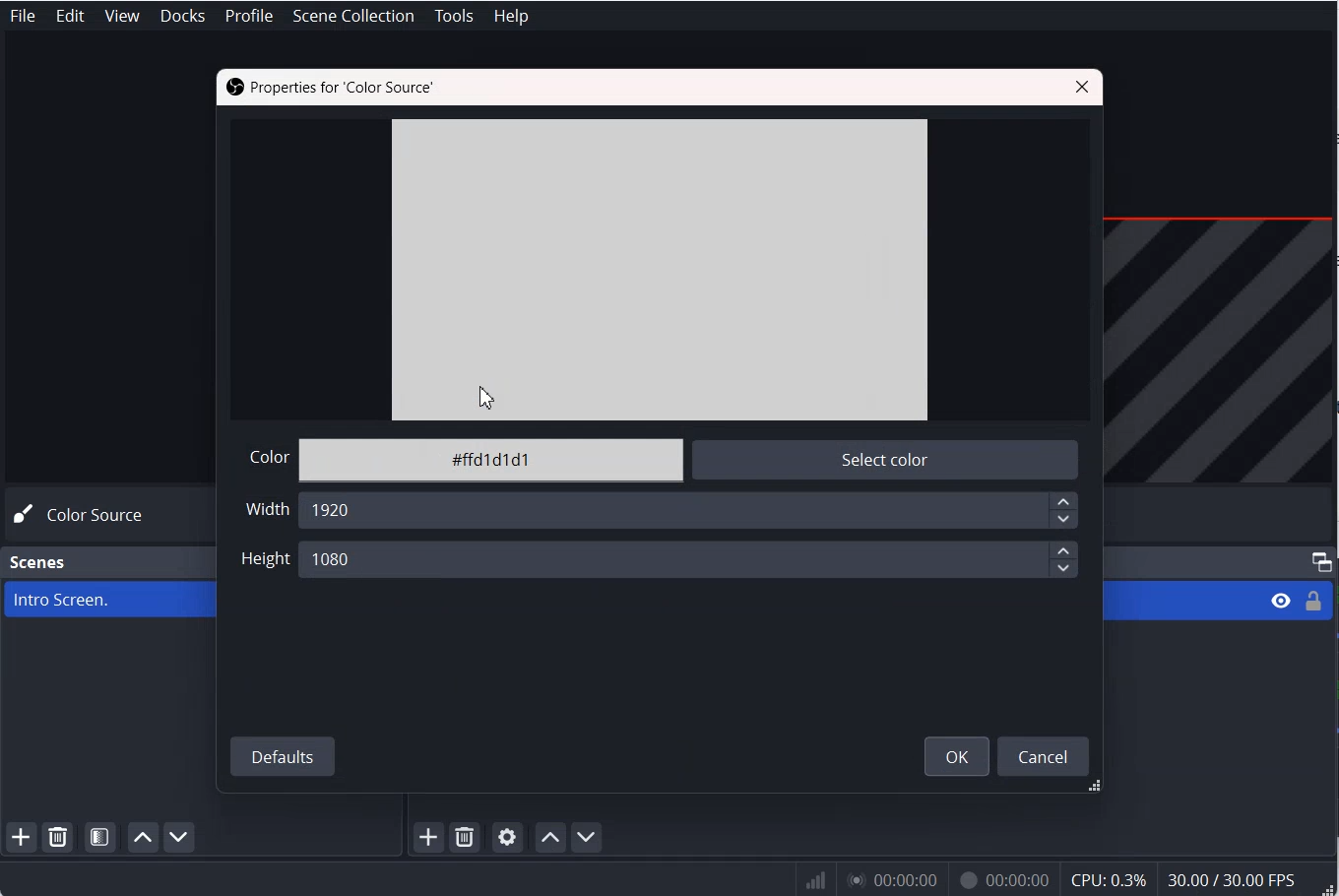 Image resolution: width=1339 pixels, height=896 pixels. I want to click on CPU, so click(1110, 880).